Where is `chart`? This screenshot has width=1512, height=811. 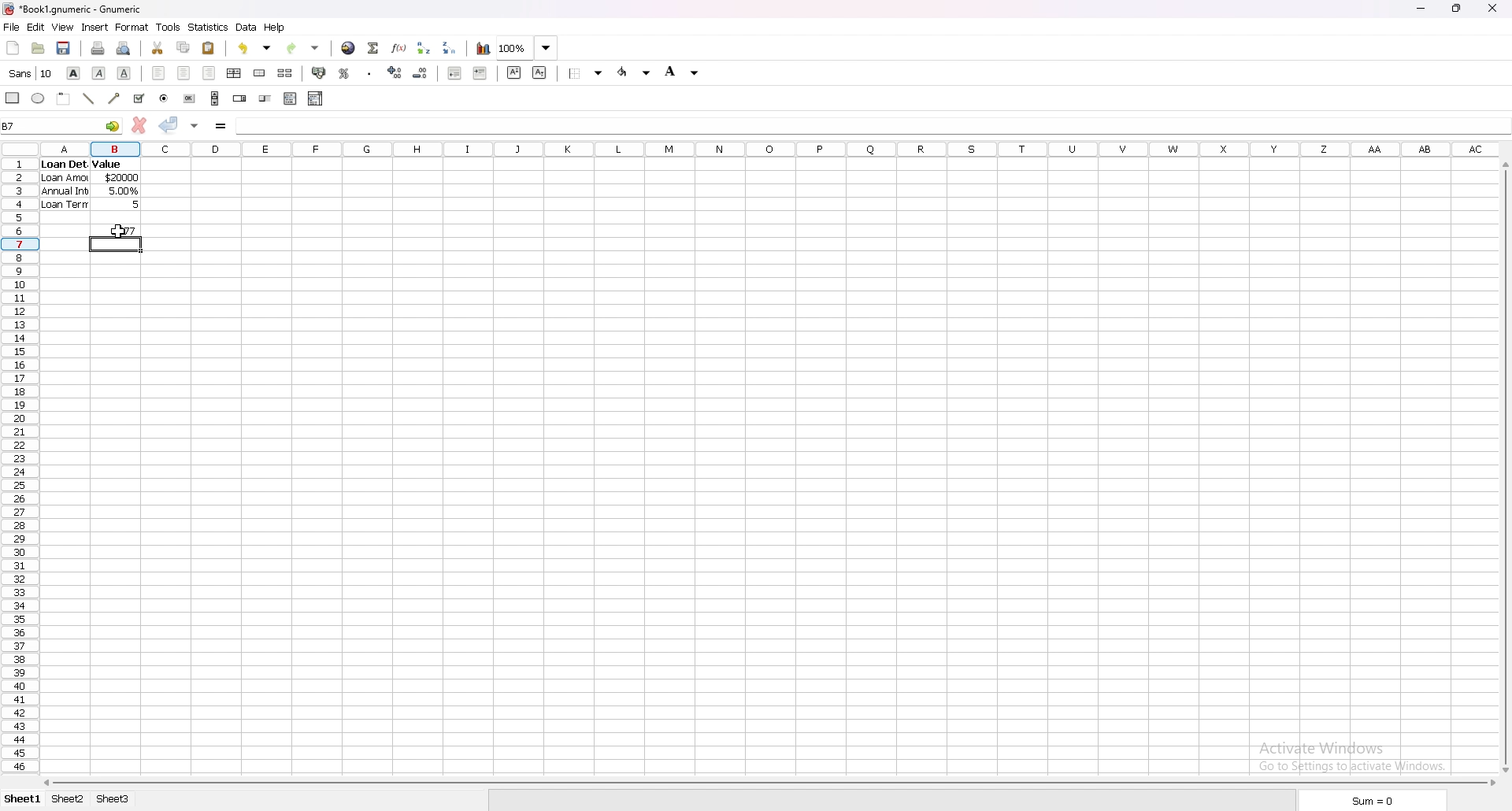 chart is located at coordinates (484, 49).